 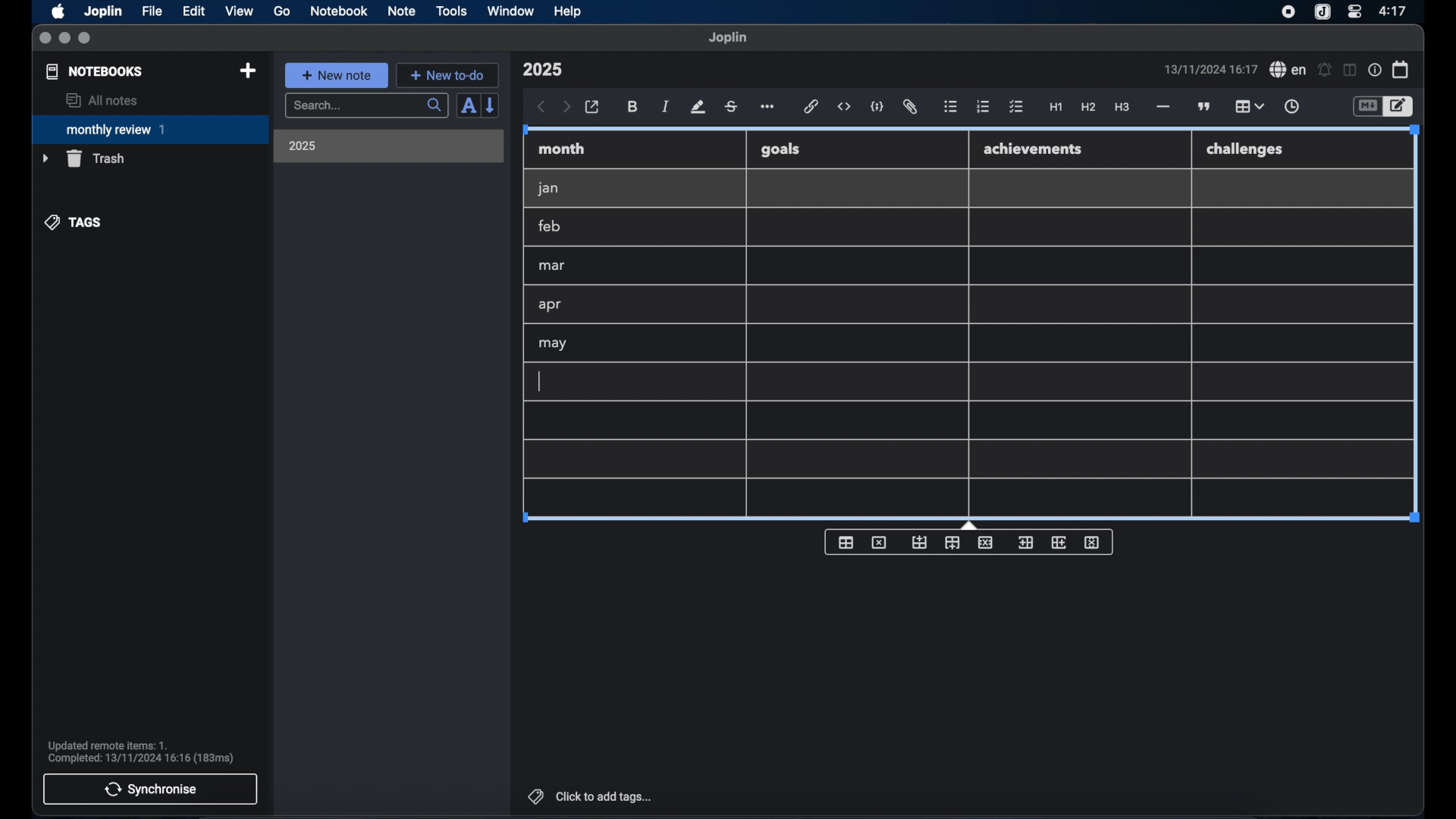 I want to click on click to add tags, so click(x=591, y=796).